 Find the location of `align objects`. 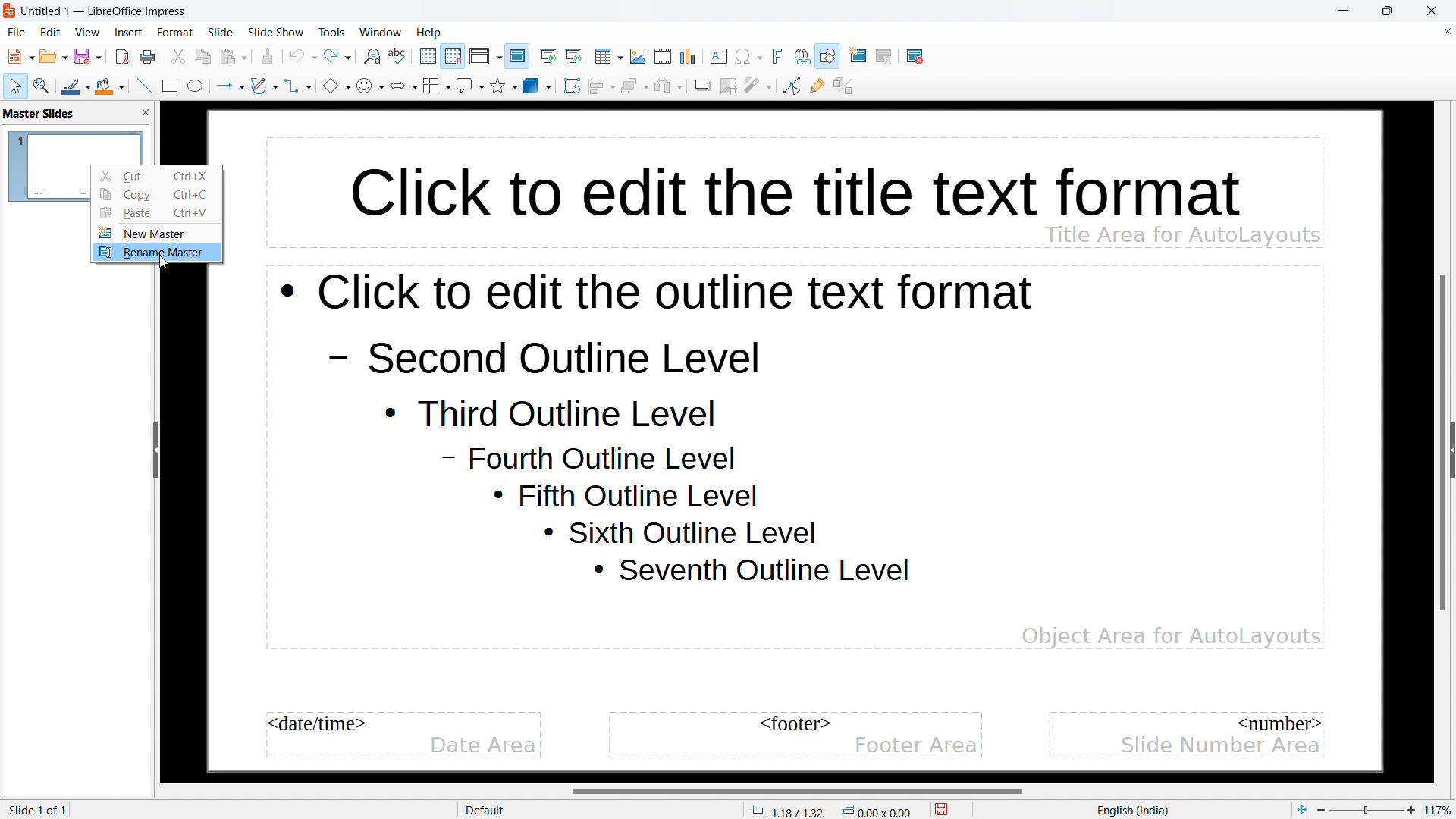

align objects is located at coordinates (601, 86).